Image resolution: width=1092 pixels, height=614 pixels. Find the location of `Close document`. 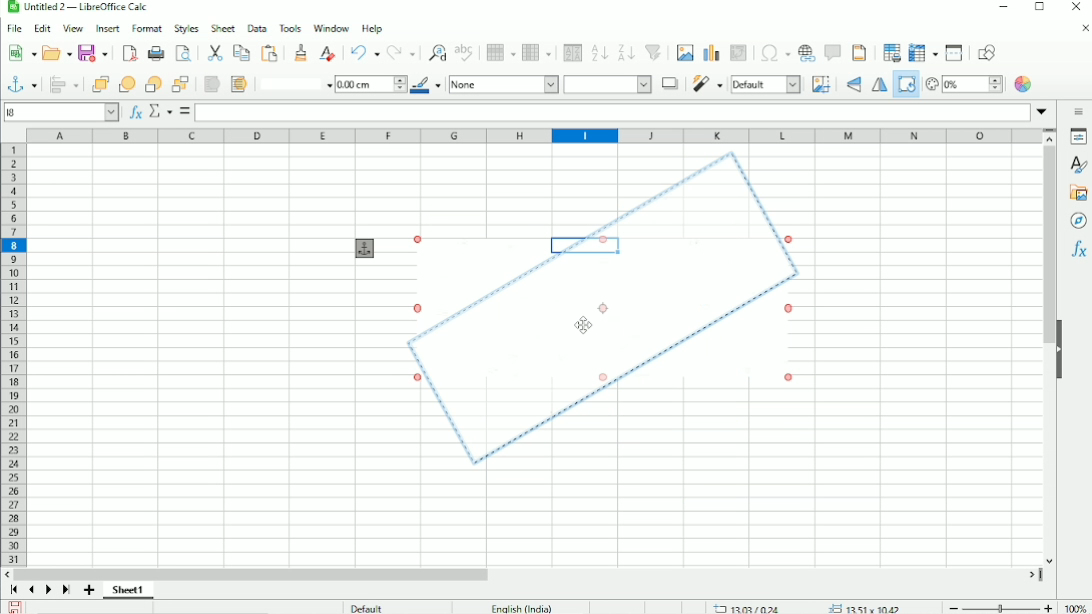

Close document is located at coordinates (1084, 29).